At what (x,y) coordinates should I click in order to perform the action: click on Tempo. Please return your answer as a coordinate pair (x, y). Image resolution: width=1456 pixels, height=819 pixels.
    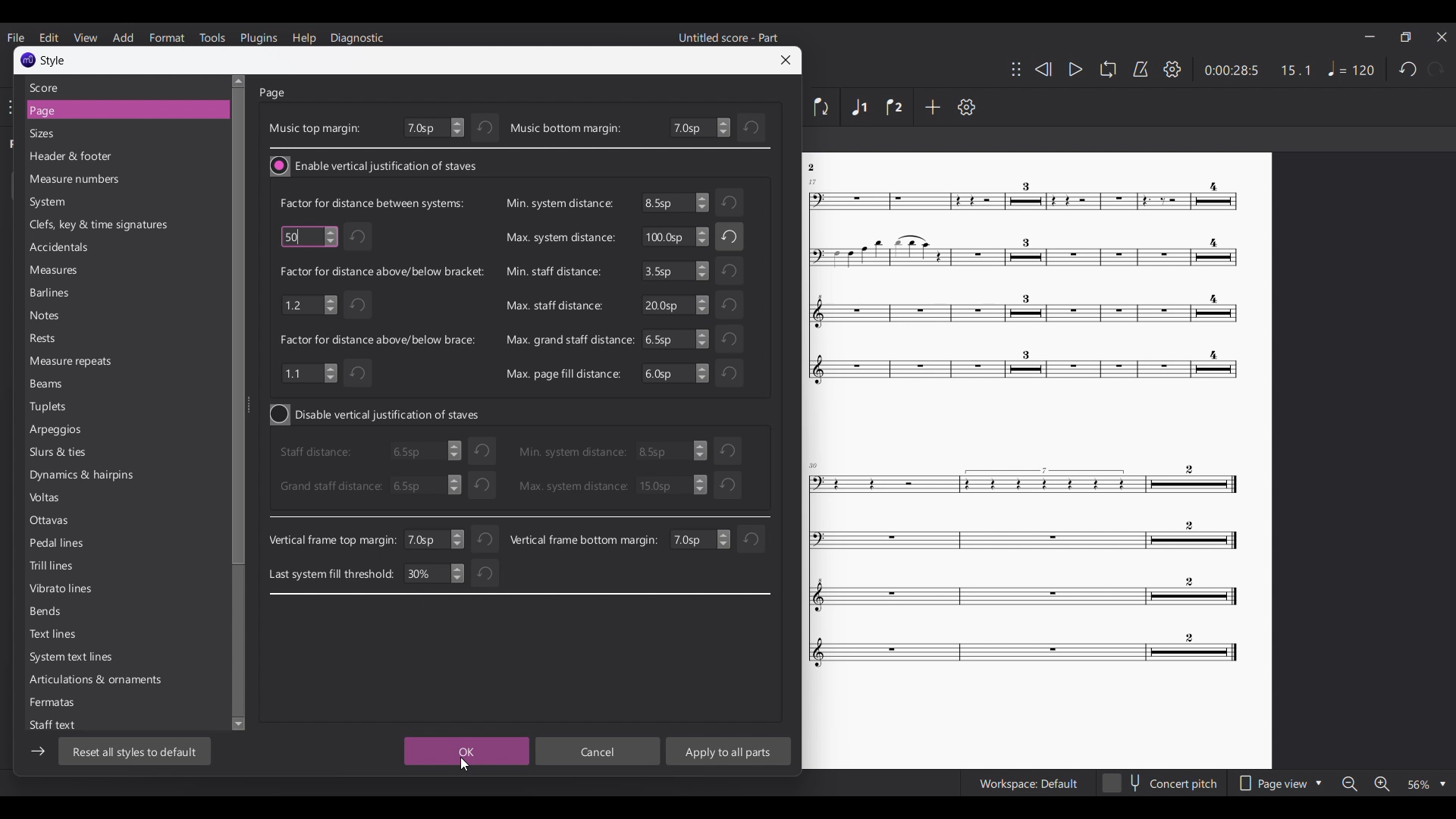
    Looking at the image, I should click on (1351, 68).